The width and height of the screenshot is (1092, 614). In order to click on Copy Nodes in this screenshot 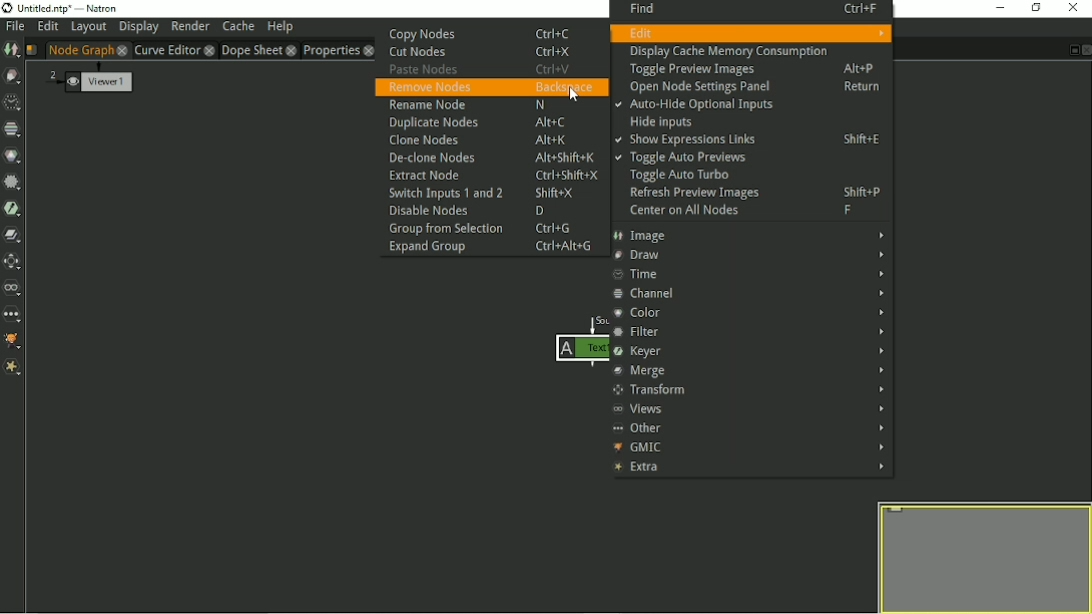, I will do `click(480, 32)`.